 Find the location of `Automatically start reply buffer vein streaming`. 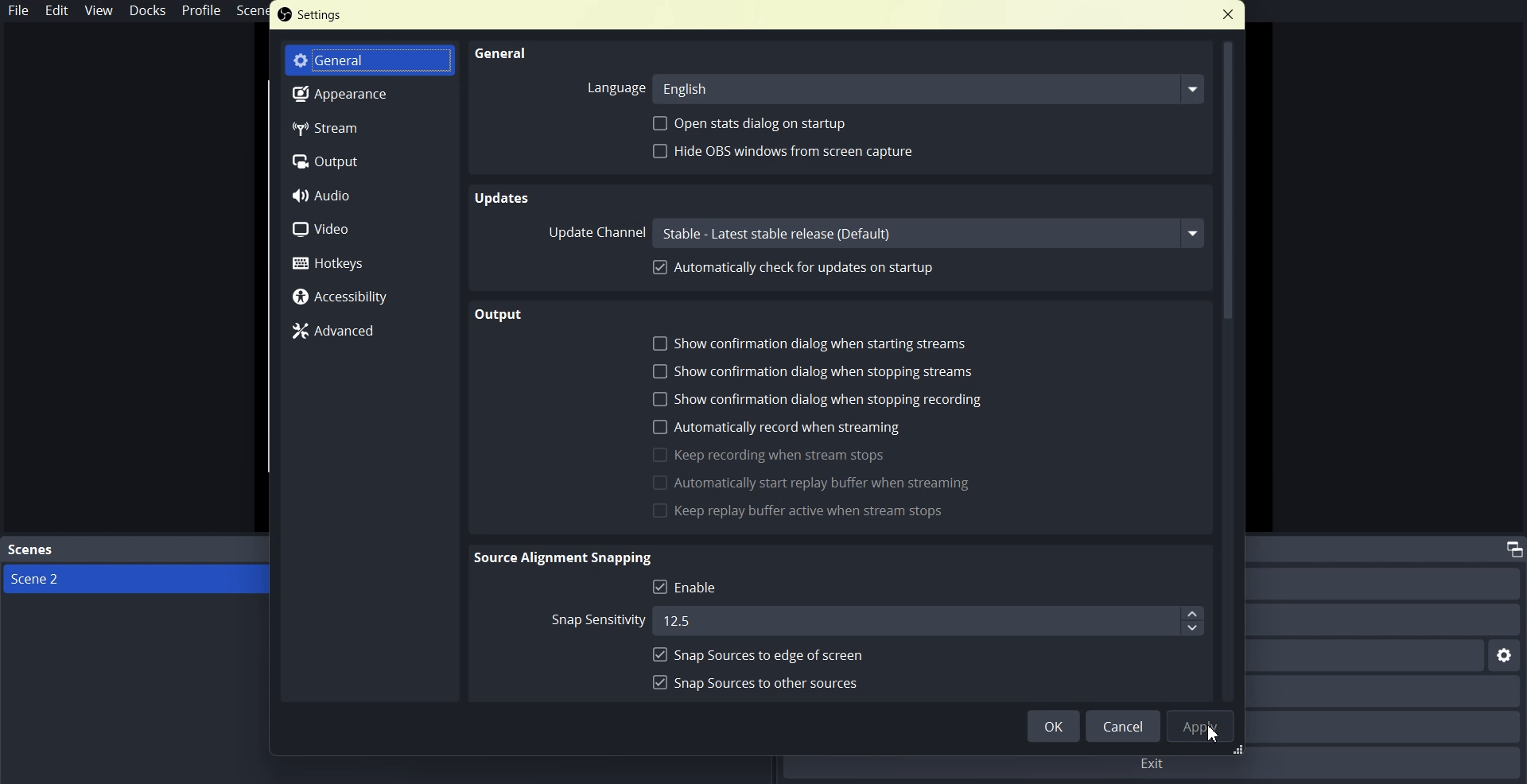

Automatically start reply buffer vein streaming is located at coordinates (811, 483).